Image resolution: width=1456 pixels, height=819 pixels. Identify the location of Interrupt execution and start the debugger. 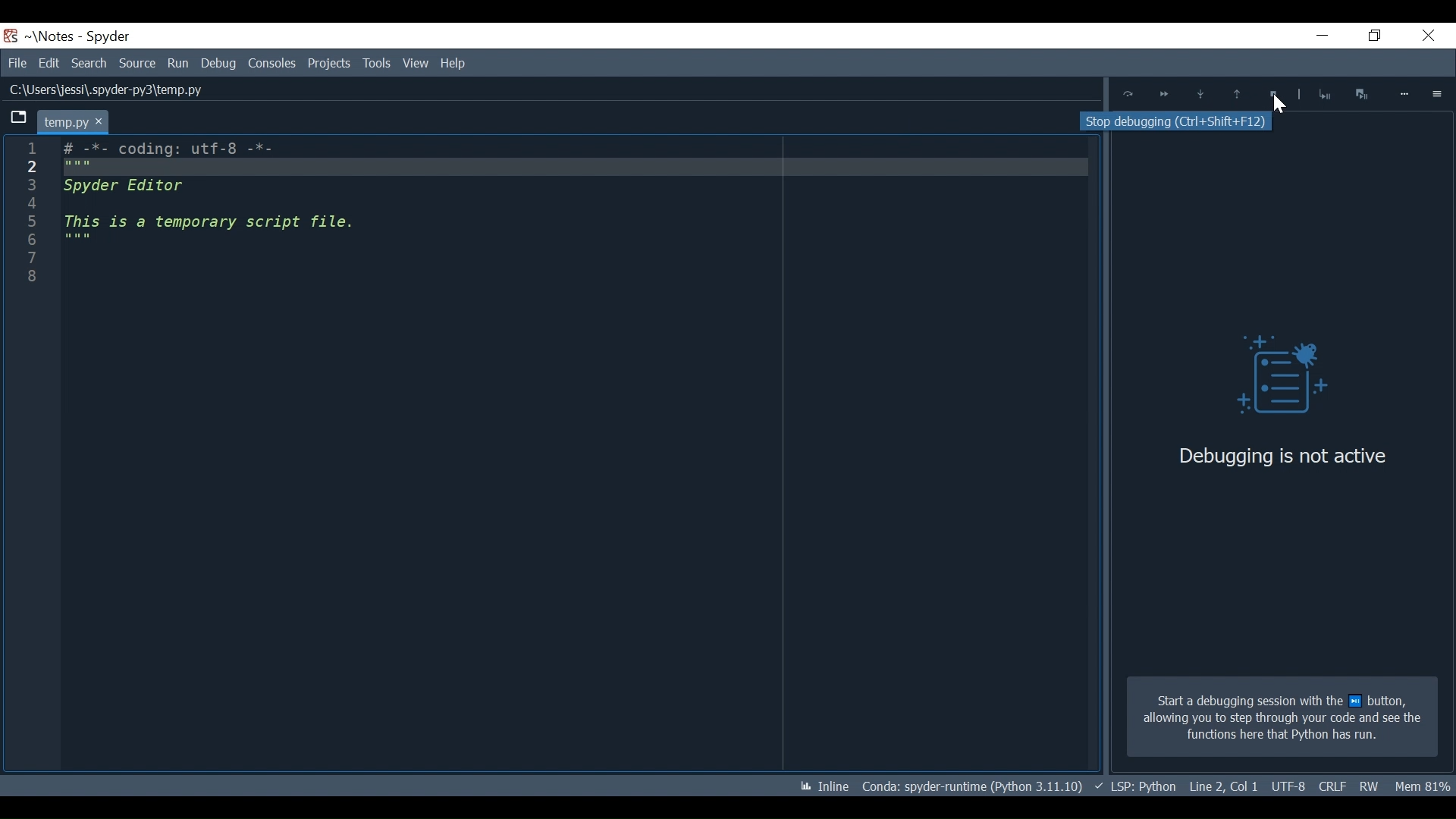
(1363, 93).